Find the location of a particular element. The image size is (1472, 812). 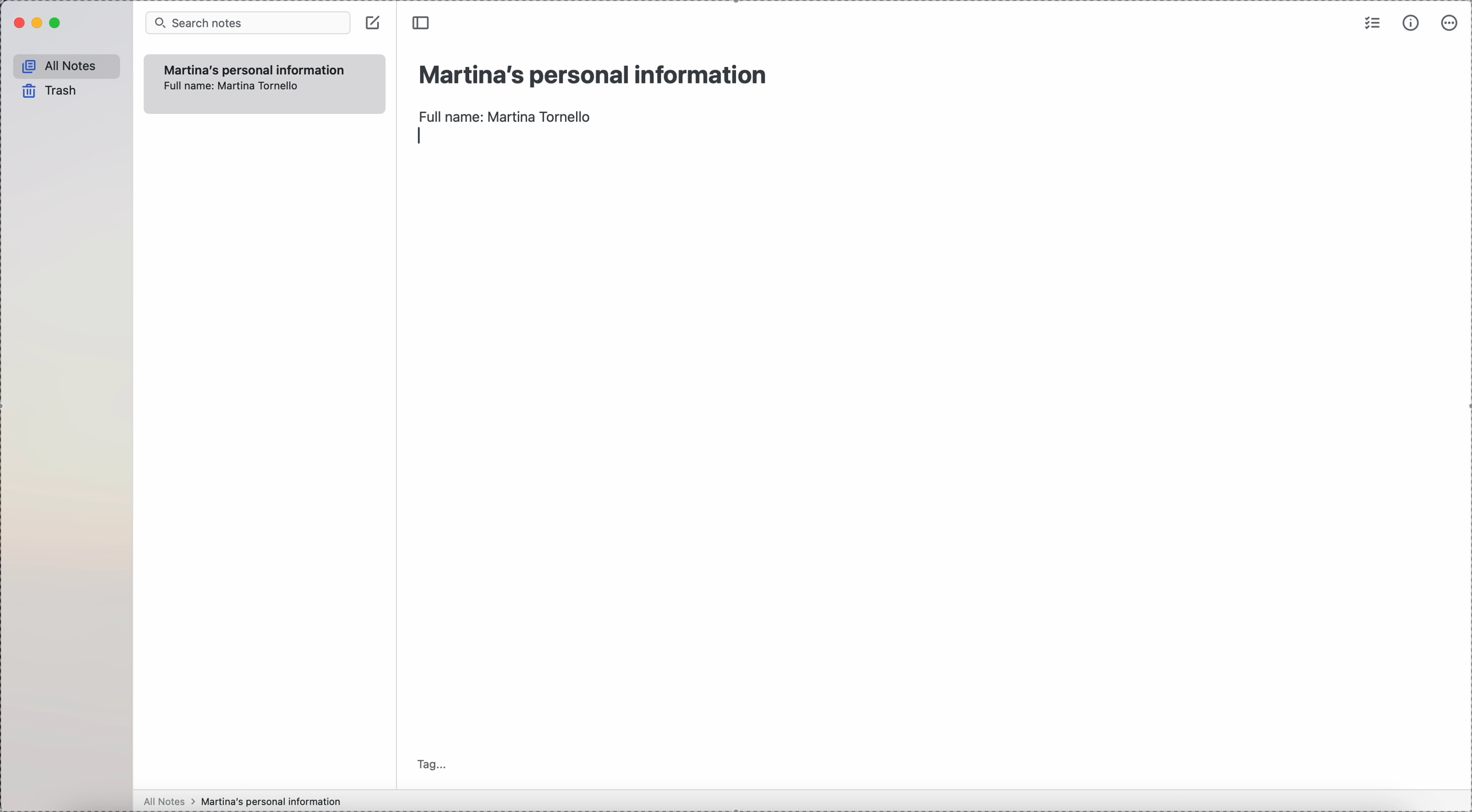

metrics is located at coordinates (1413, 23).